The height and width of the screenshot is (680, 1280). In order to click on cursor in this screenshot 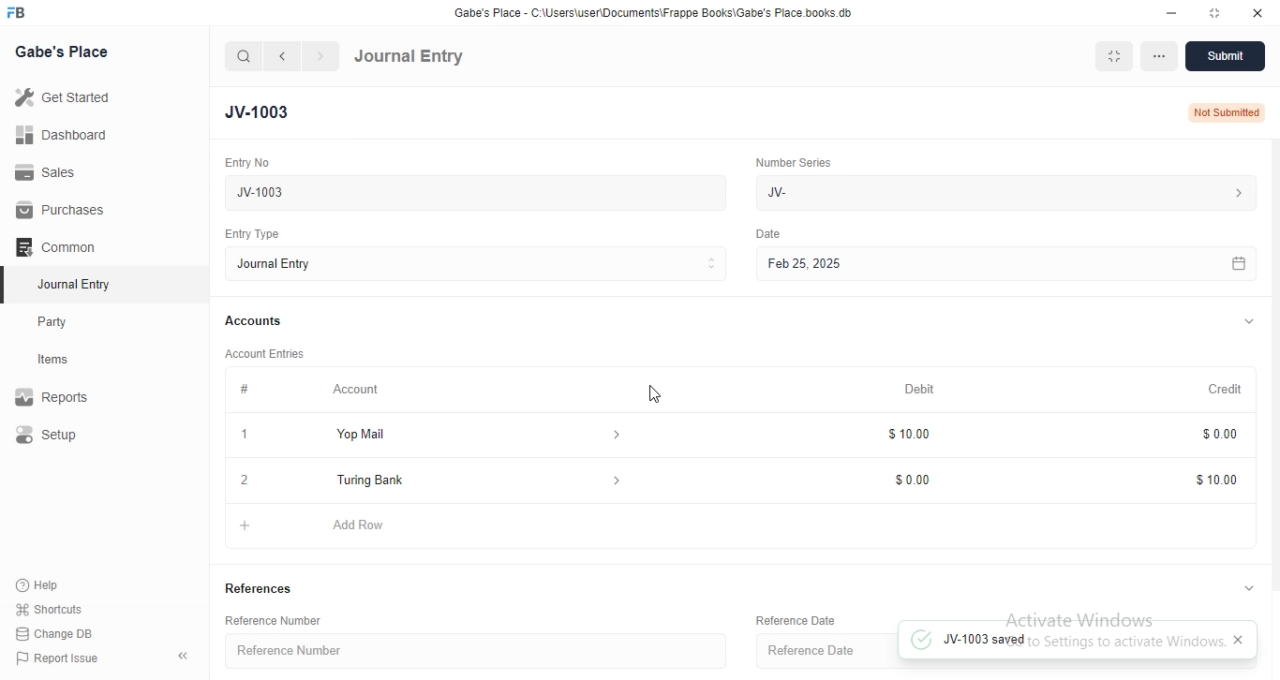, I will do `click(659, 397)`.